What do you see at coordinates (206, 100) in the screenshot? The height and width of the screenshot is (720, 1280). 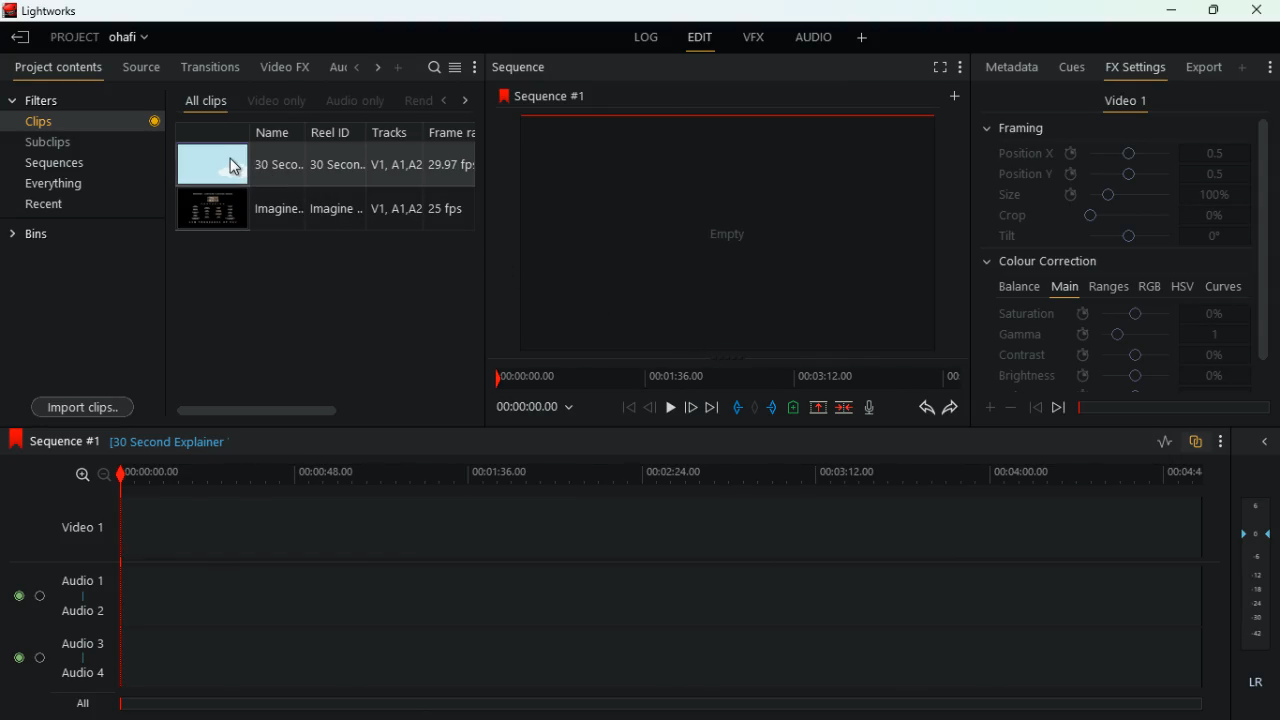 I see `all clips` at bounding box center [206, 100].